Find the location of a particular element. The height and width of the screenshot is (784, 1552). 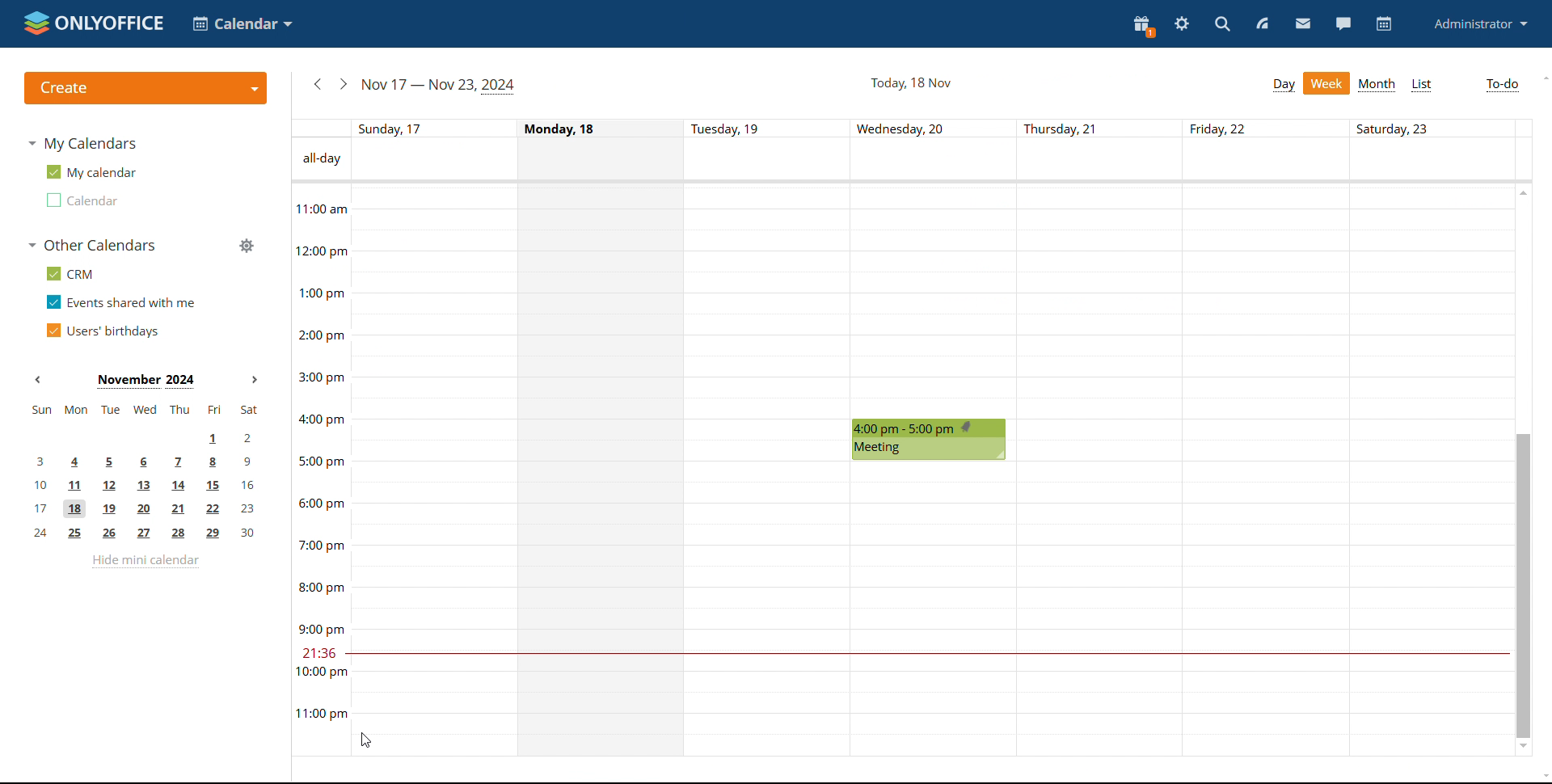

scroll up is located at coordinates (1542, 78).